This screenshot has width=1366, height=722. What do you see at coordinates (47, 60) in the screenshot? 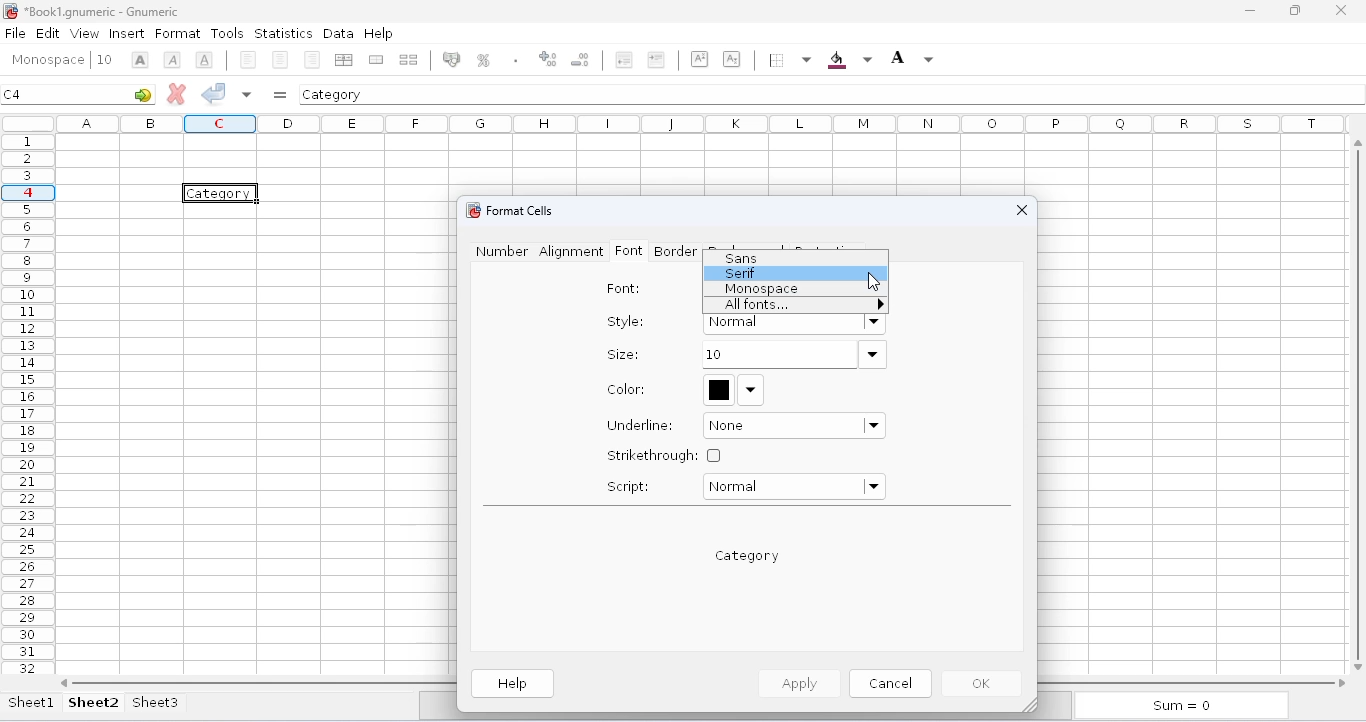
I see `font` at bounding box center [47, 60].